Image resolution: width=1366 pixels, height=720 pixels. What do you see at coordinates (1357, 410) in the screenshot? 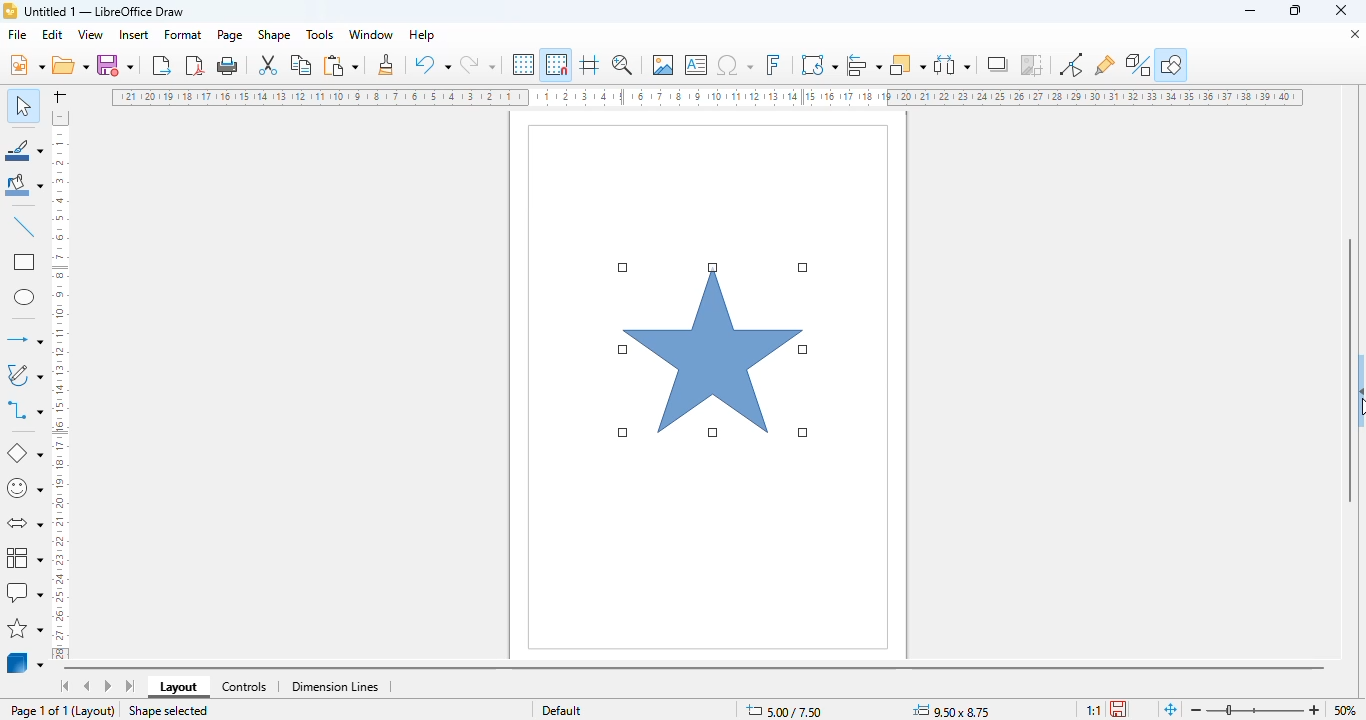
I see `cursor` at bounding box center [1357, 410].